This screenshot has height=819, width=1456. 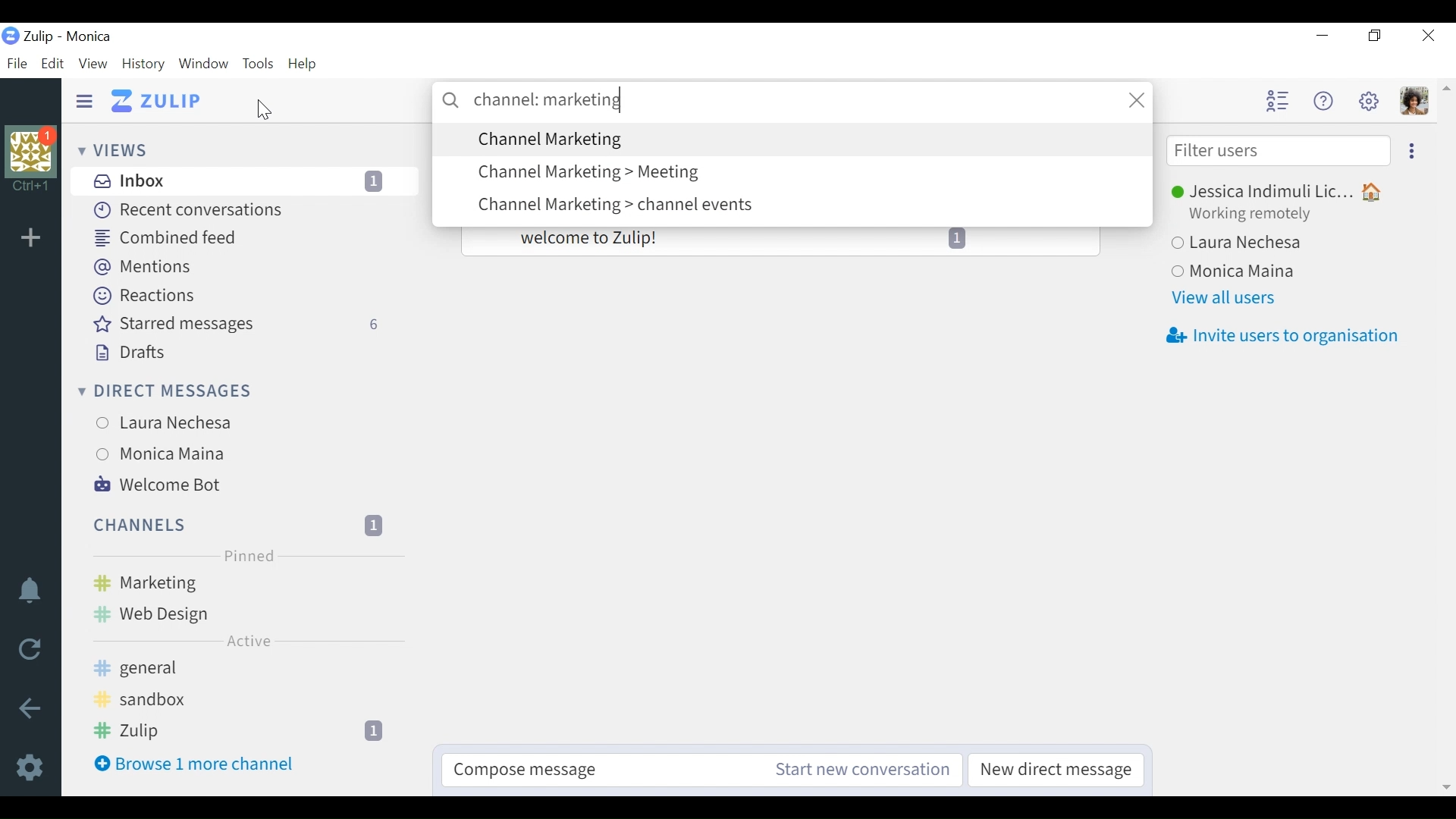 What do you see at coordinates (243, 180) in the screenshot?
I see `Inbox` at bounding box center [243, 180].